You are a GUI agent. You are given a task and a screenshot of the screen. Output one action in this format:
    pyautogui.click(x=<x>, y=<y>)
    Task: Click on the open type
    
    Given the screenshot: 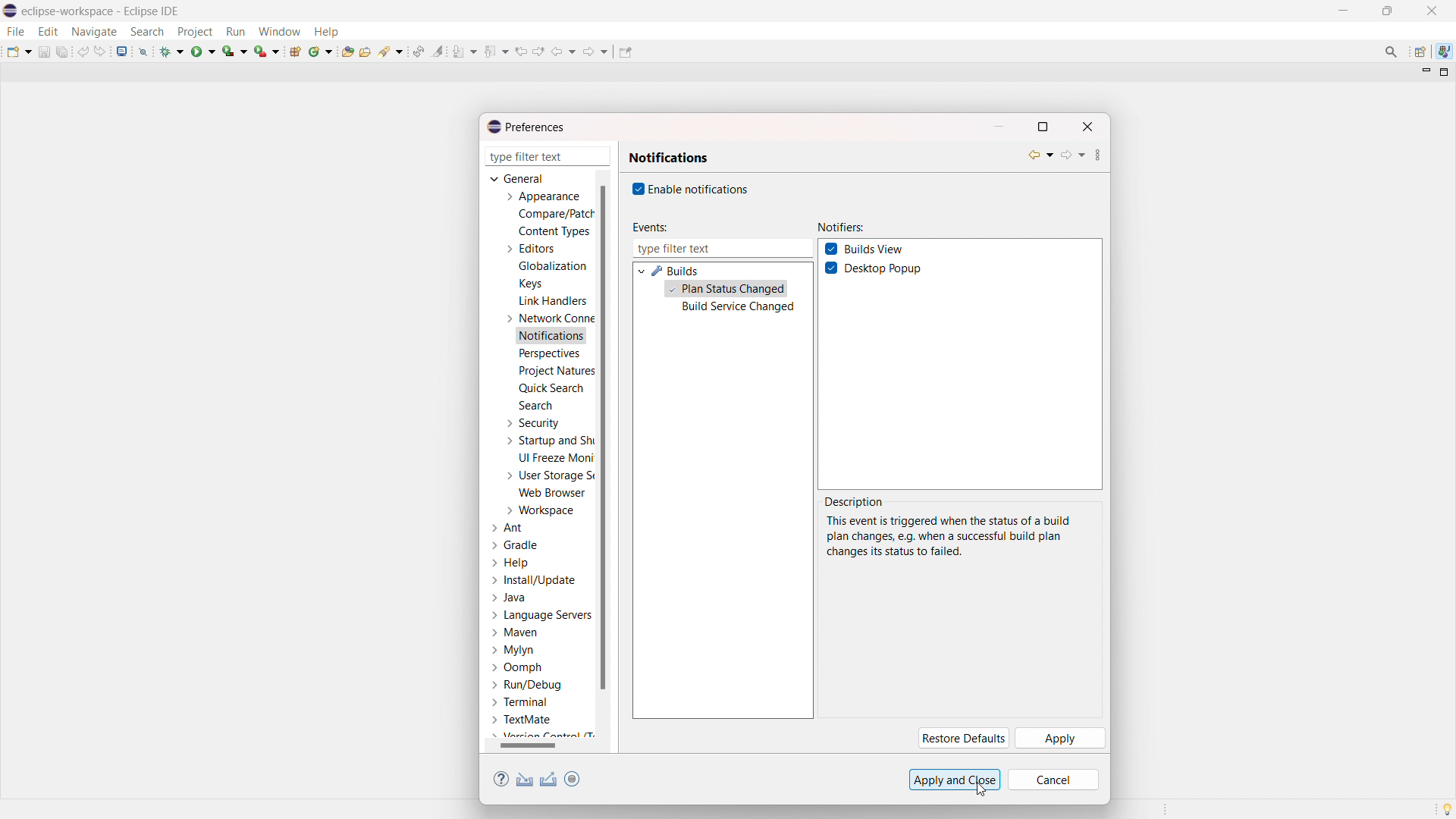 What is the action you would take?
    pyautogui.click(x=347, y=50)
    